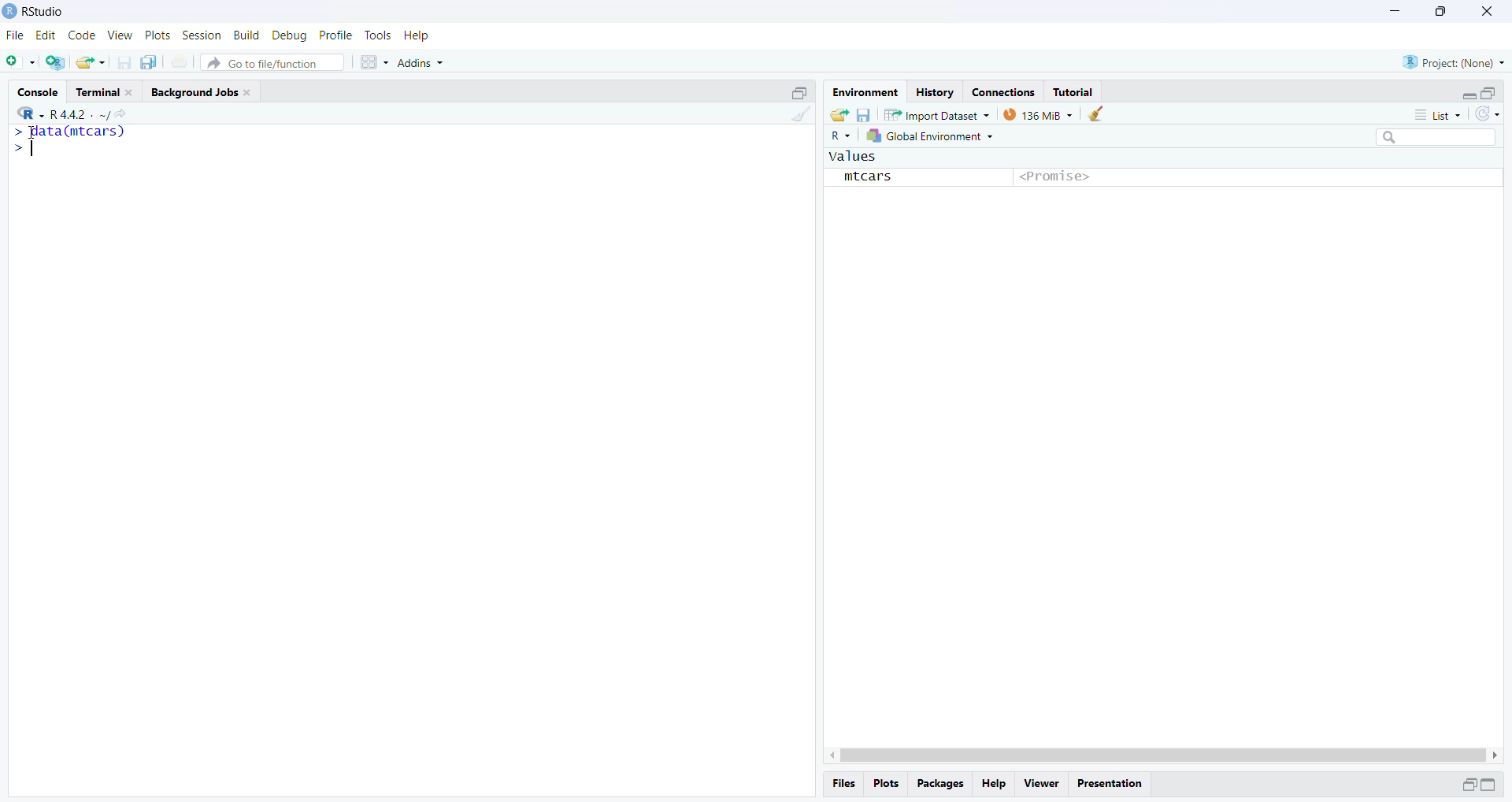 Image resolution: width=1512 pixels, height=802 pixels. I want to click on values
mtcars <Promise>, so click(1162, 173).